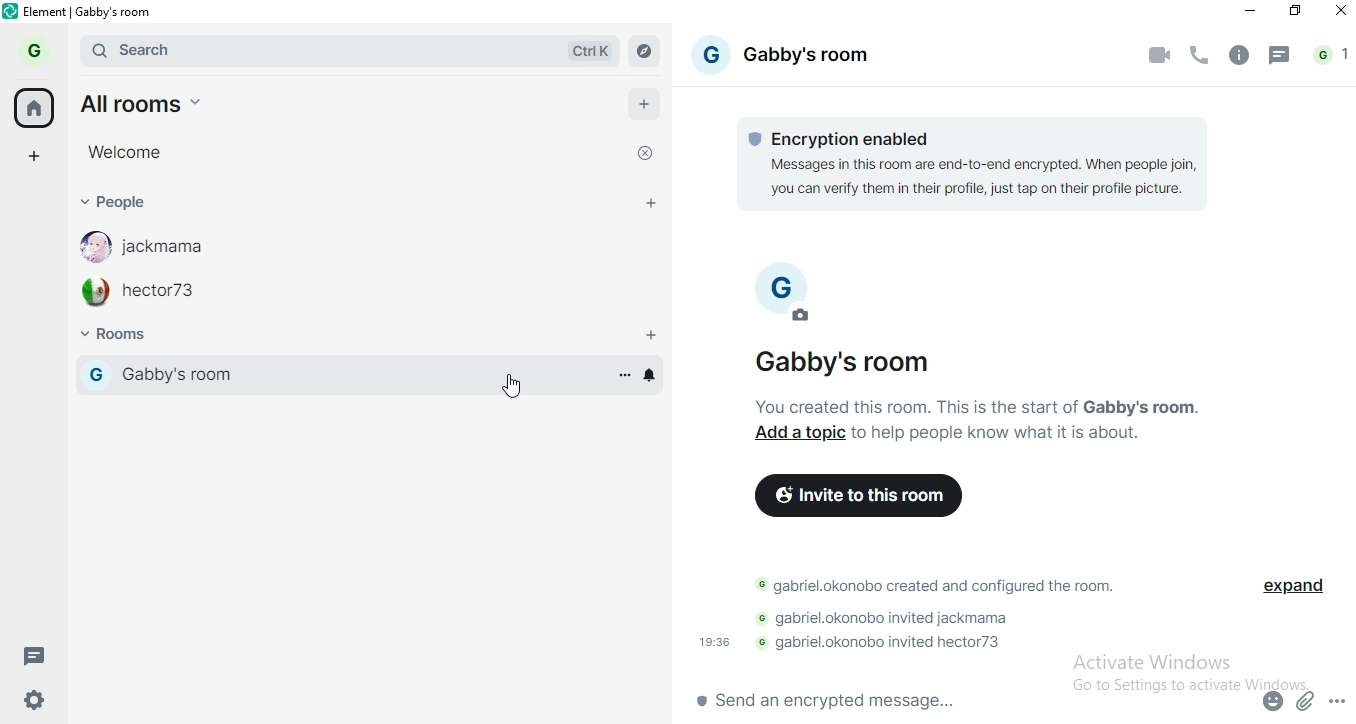 This screenshot has height=724, width=1356. I want to click on text 1, so click(978, 165).